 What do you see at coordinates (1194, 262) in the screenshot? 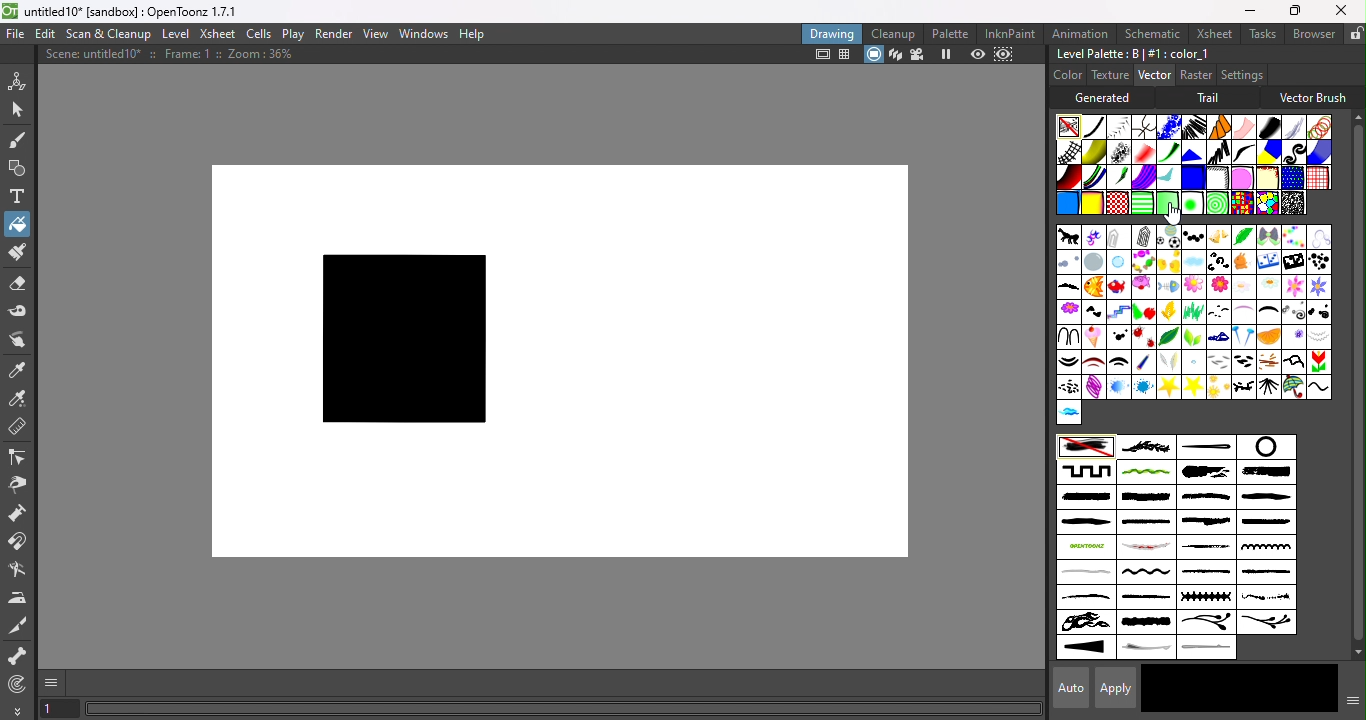
I see `Clou` at bounding box center [1194, 262].